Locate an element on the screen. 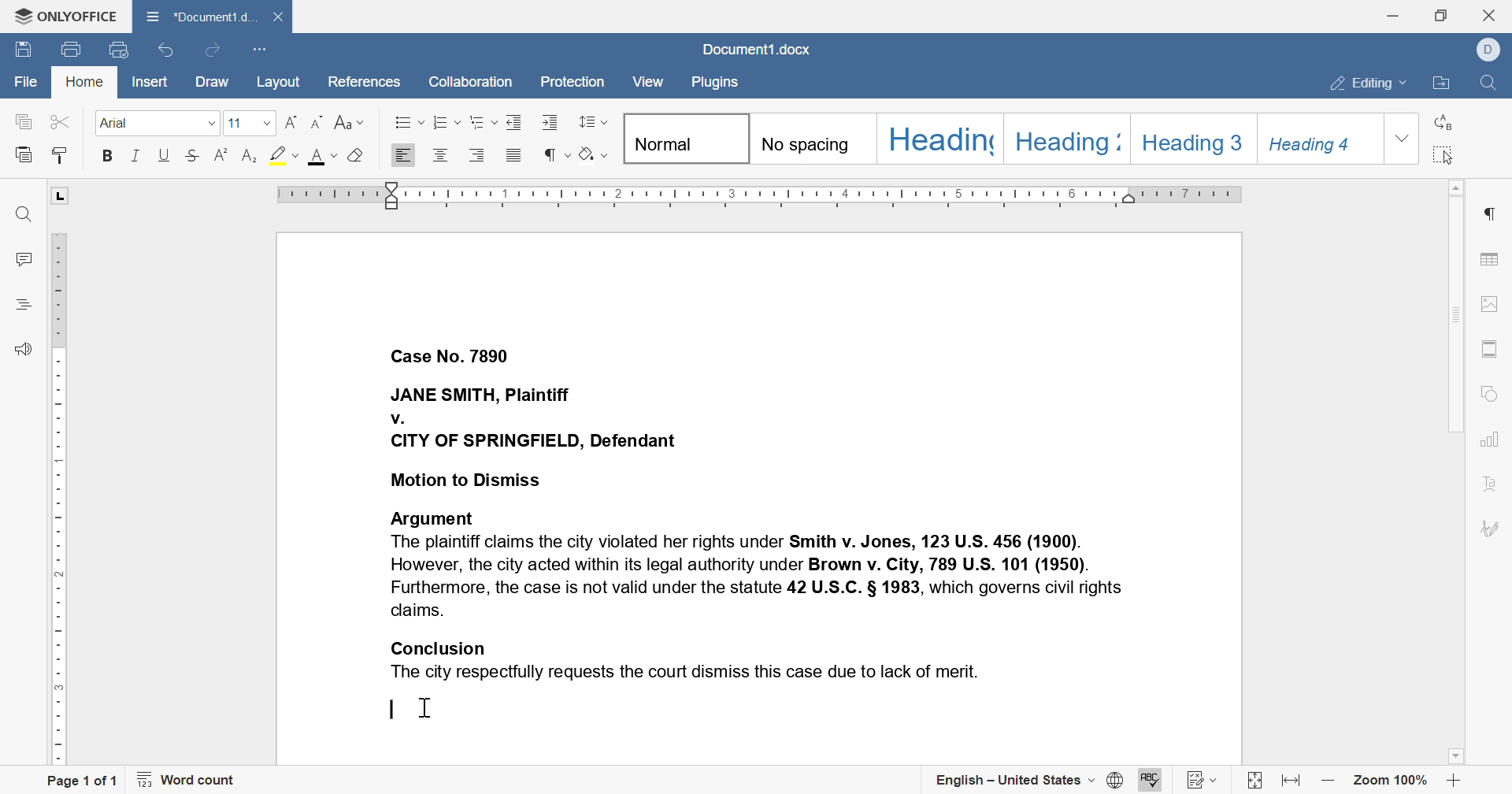  superscript is located at coordinates (247, 155).